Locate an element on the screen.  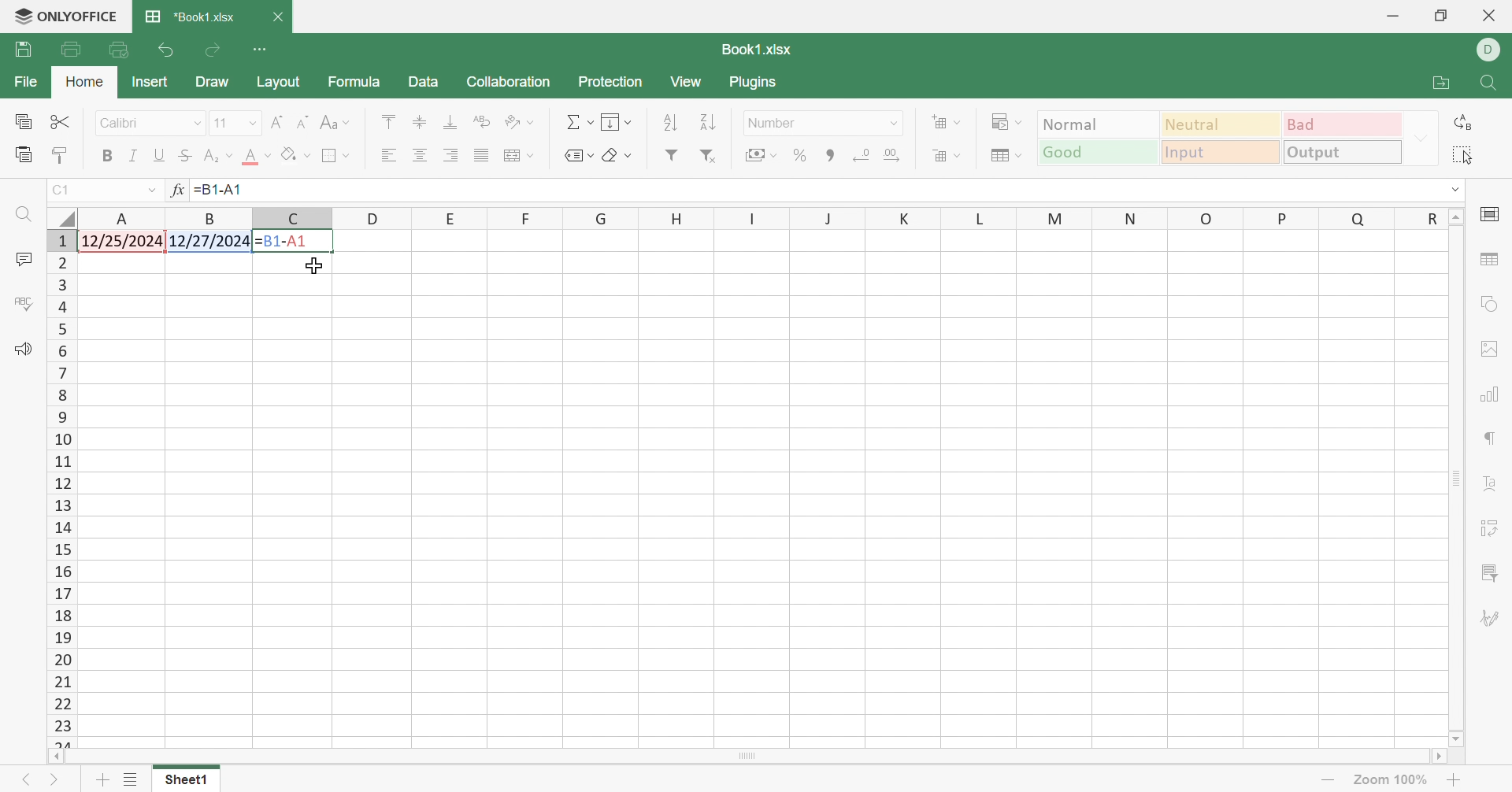
View is located at coordinates (684, 83).